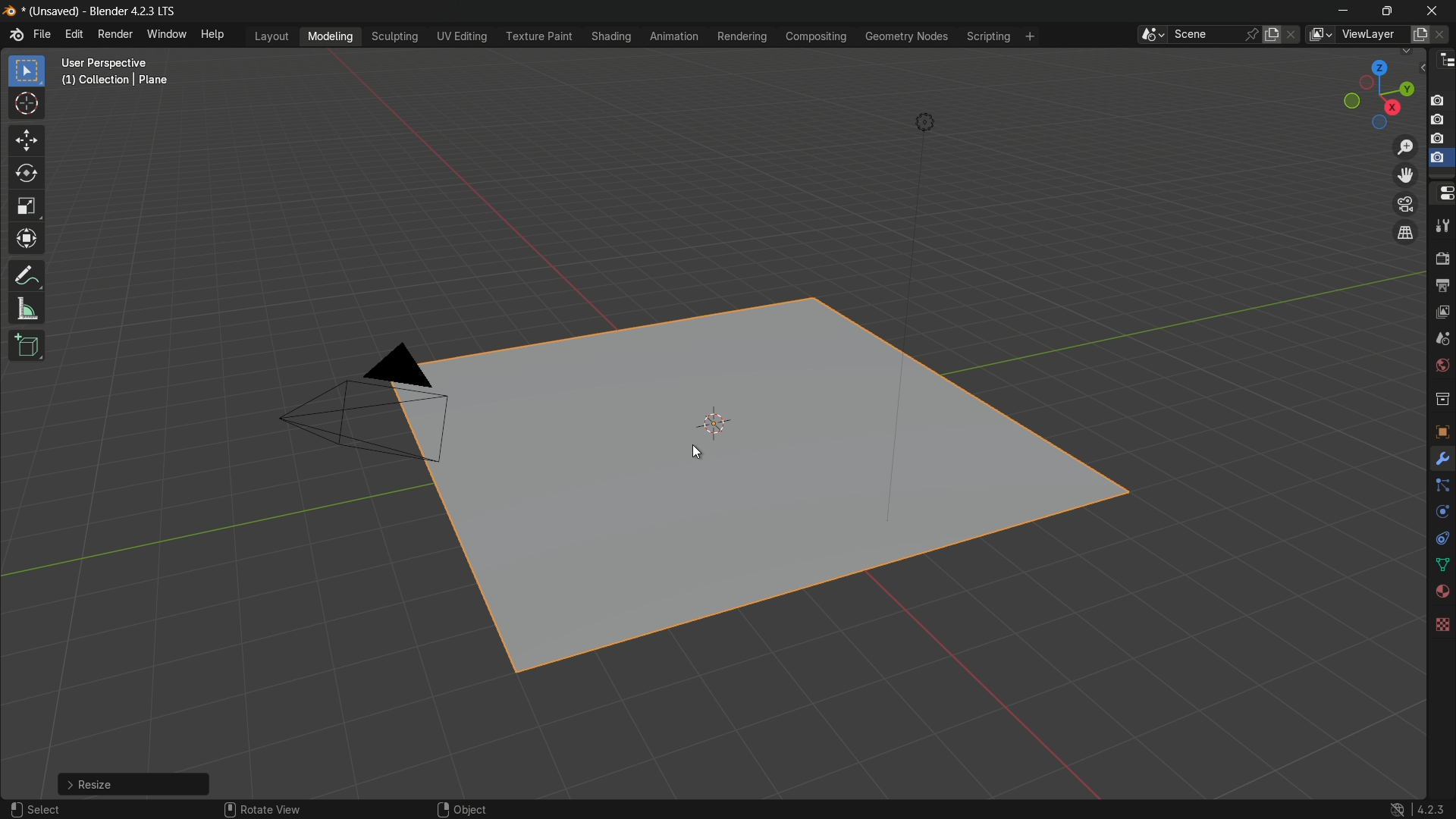 The width and height of the screenshot is (1456, 819). Describe the element at coordinates (1030, 36) in the screenshot. I see `add workplace` at that location.